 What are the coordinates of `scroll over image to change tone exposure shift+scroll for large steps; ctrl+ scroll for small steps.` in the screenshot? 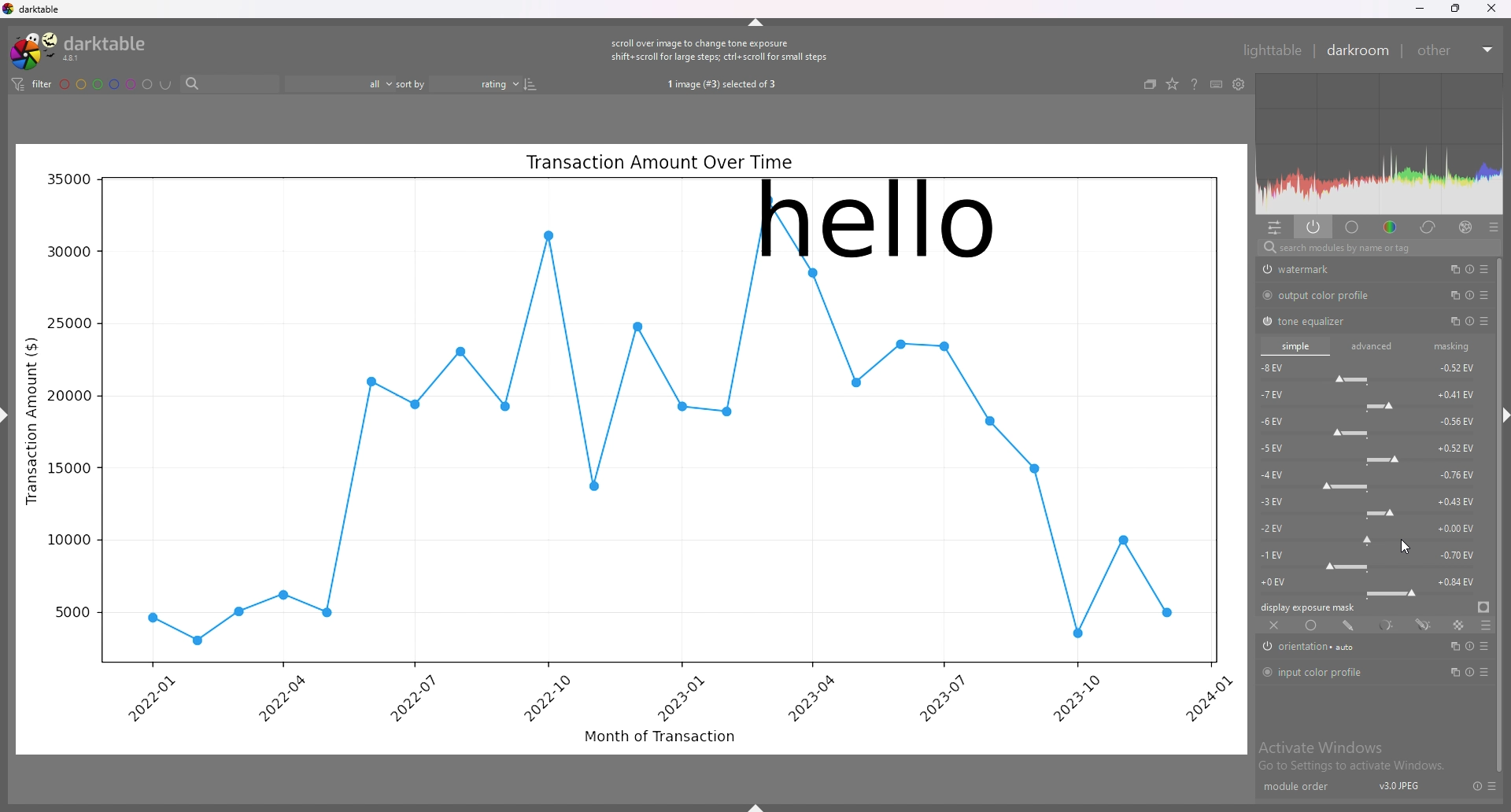 It's located at (721, 50).